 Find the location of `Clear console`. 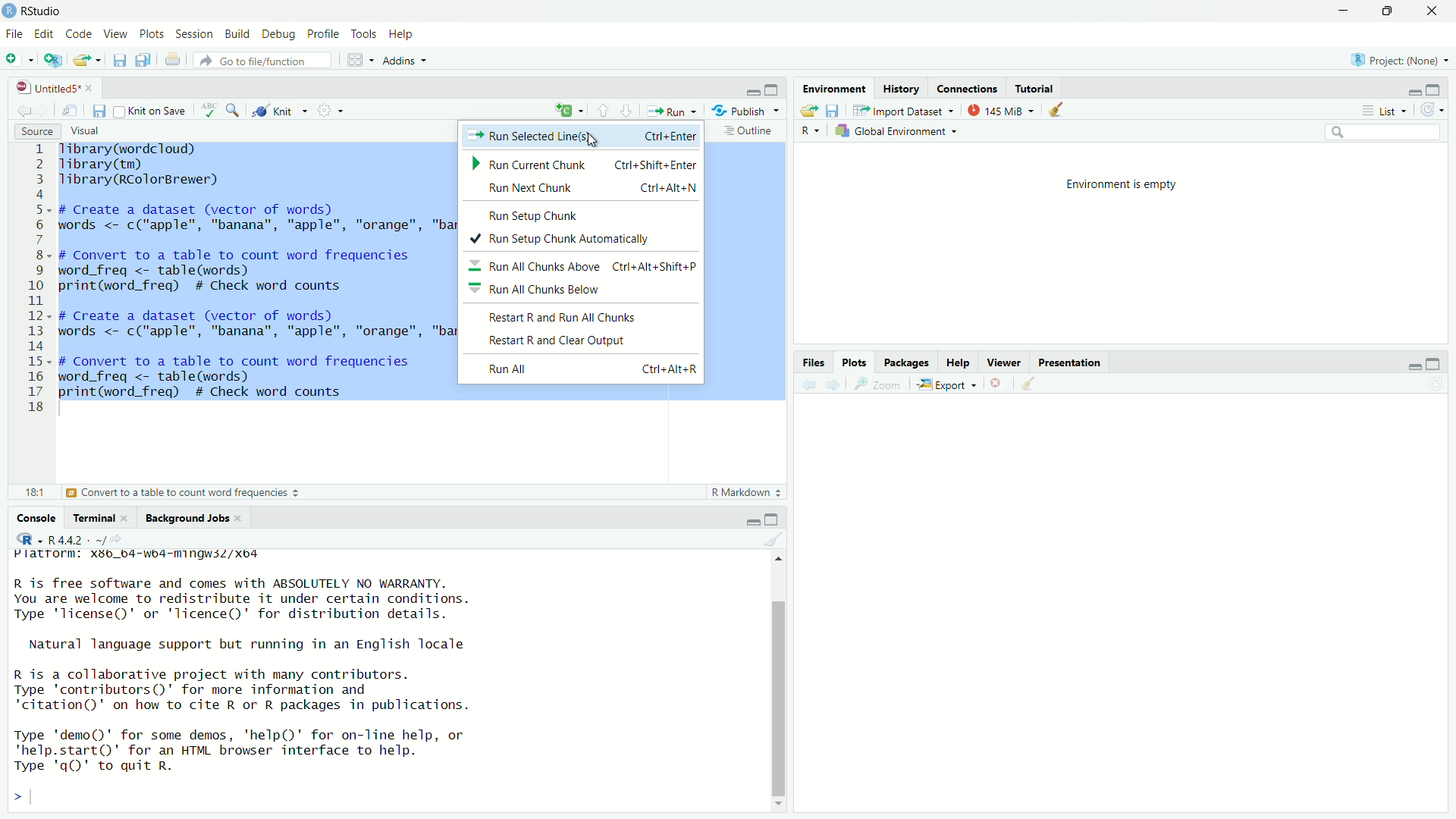

Clear console is located at coordinates (1059, 111).